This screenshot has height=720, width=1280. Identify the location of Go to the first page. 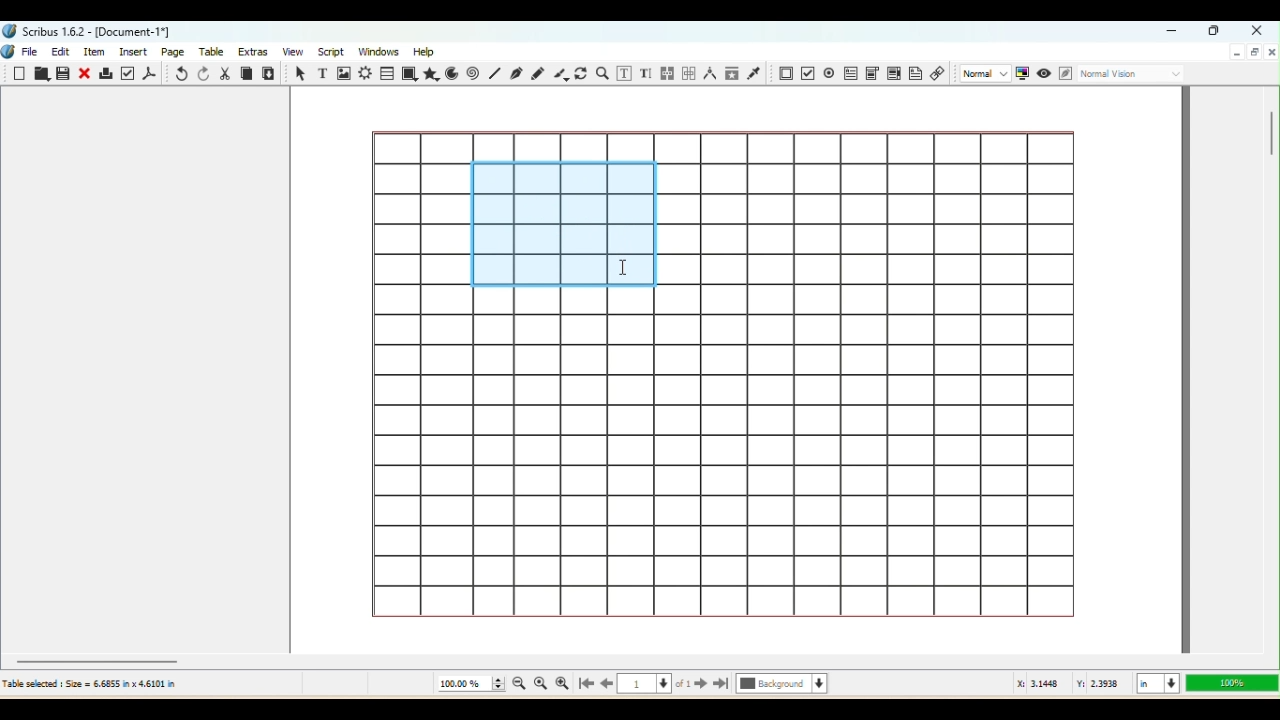
(584, 685).